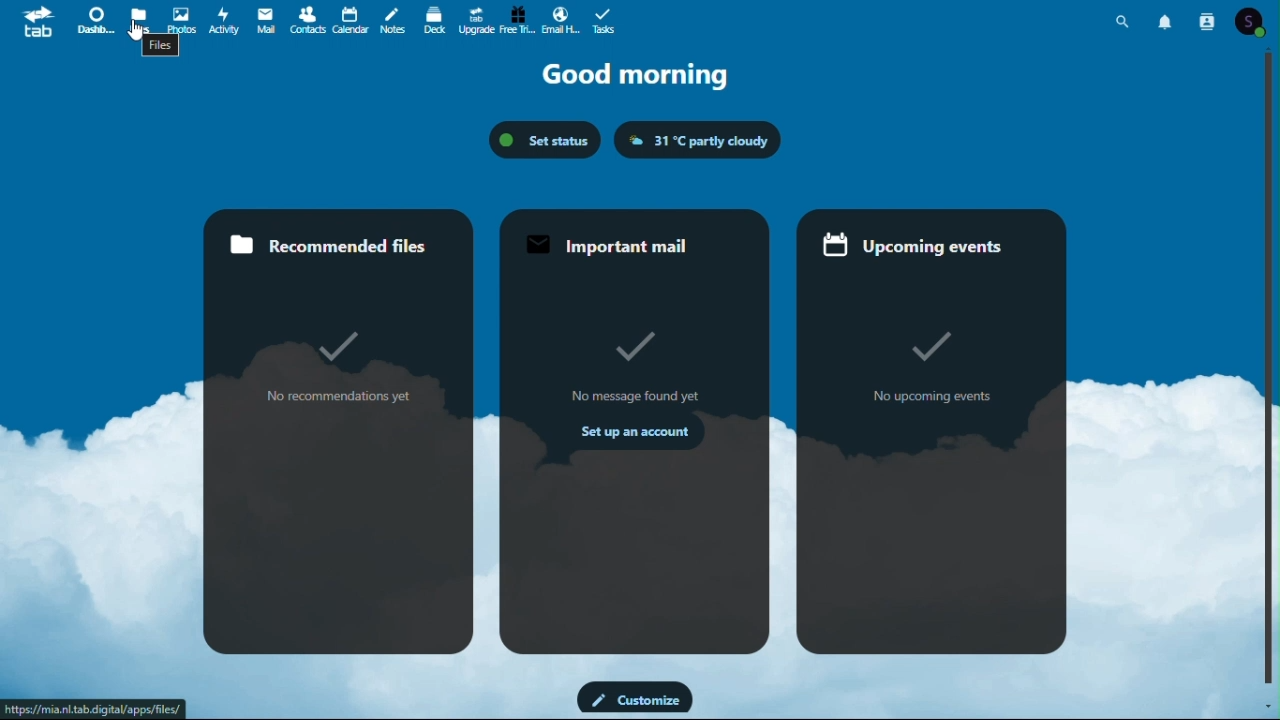 The height and width of the screenshot is (720, 1280). I want to click on No recommendations yet, so click(338, 397).